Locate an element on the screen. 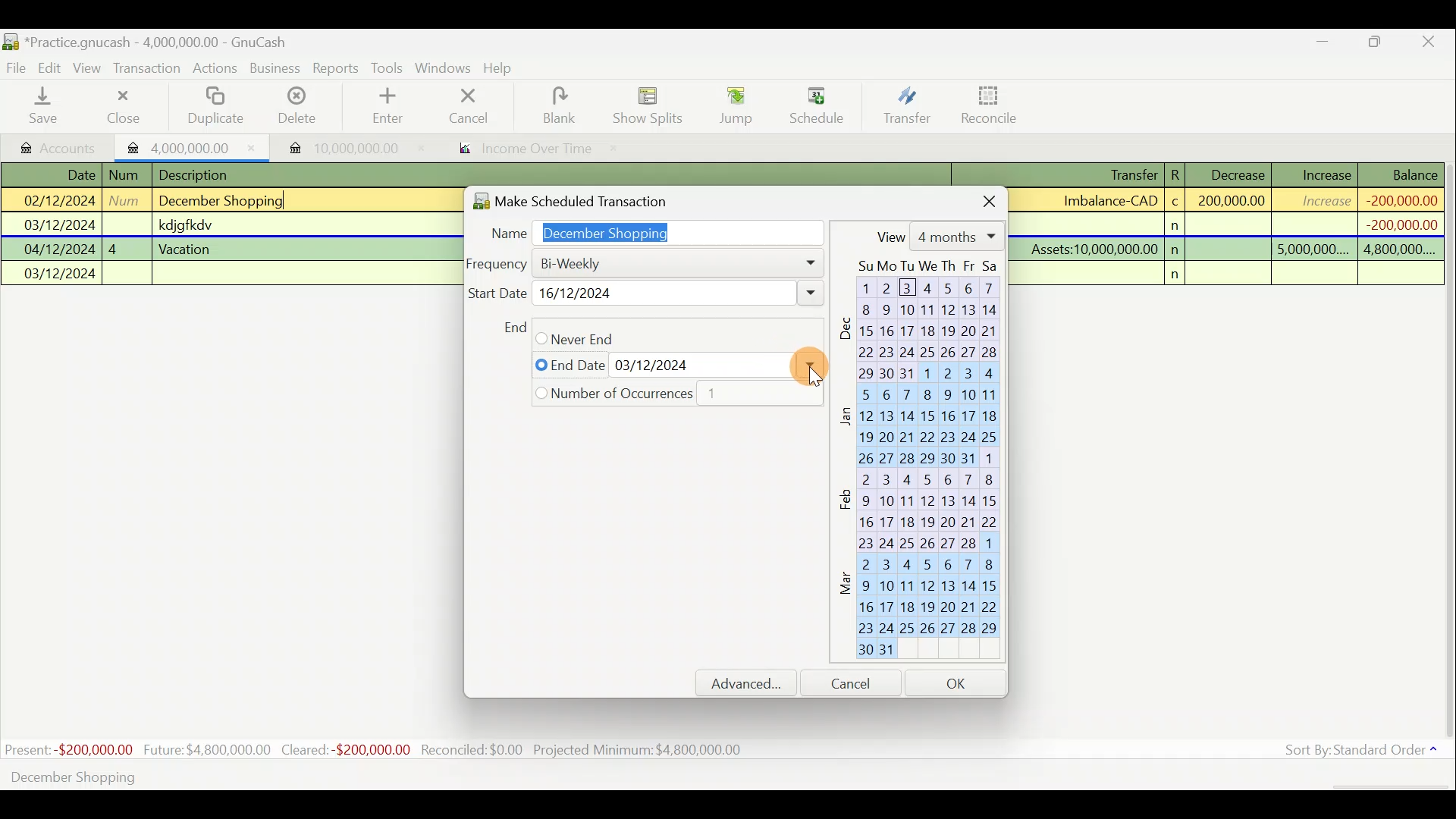 This screenshot has width=1456, height=819. Advanced is located at coordinates (753, 683).